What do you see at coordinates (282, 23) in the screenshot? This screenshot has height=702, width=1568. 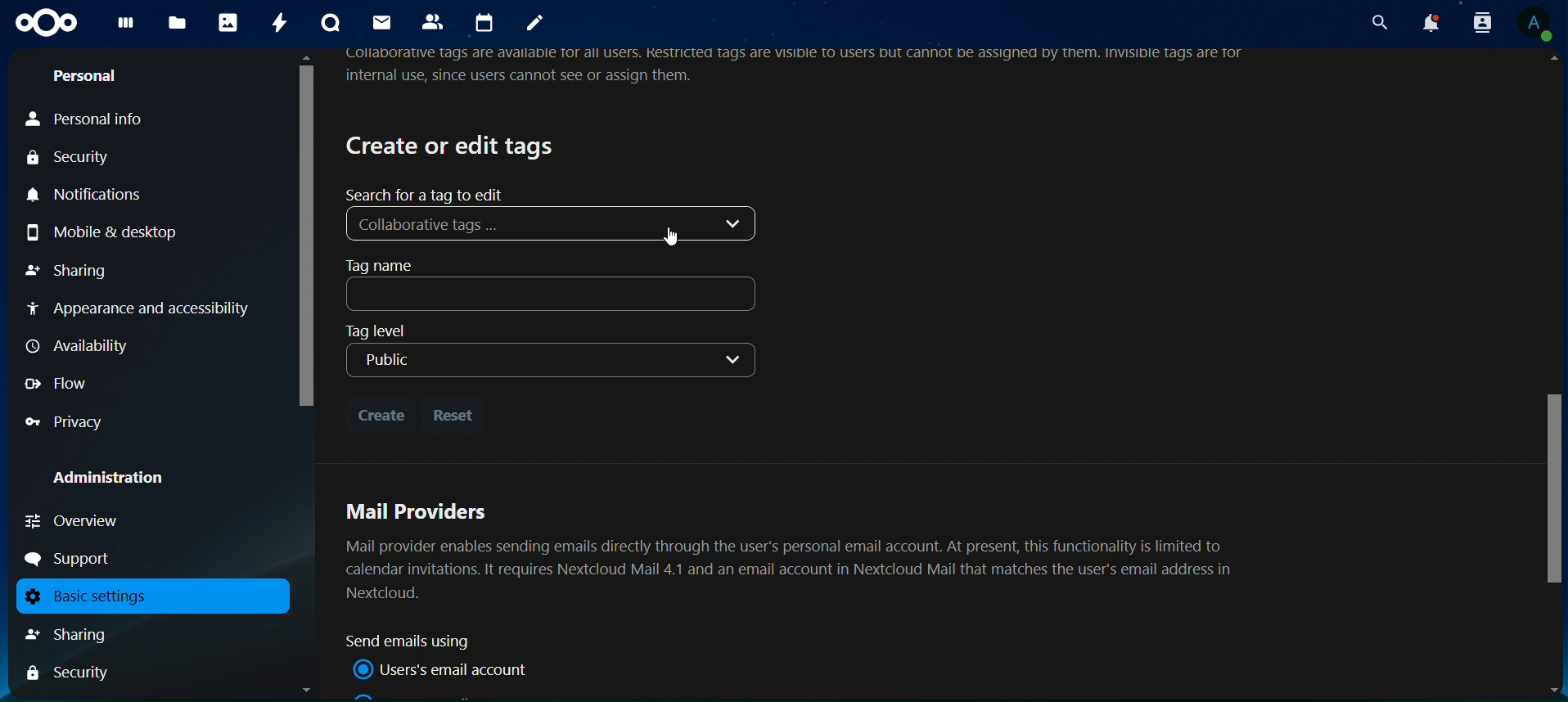 I see `activity` at bounding box center [282, 23].